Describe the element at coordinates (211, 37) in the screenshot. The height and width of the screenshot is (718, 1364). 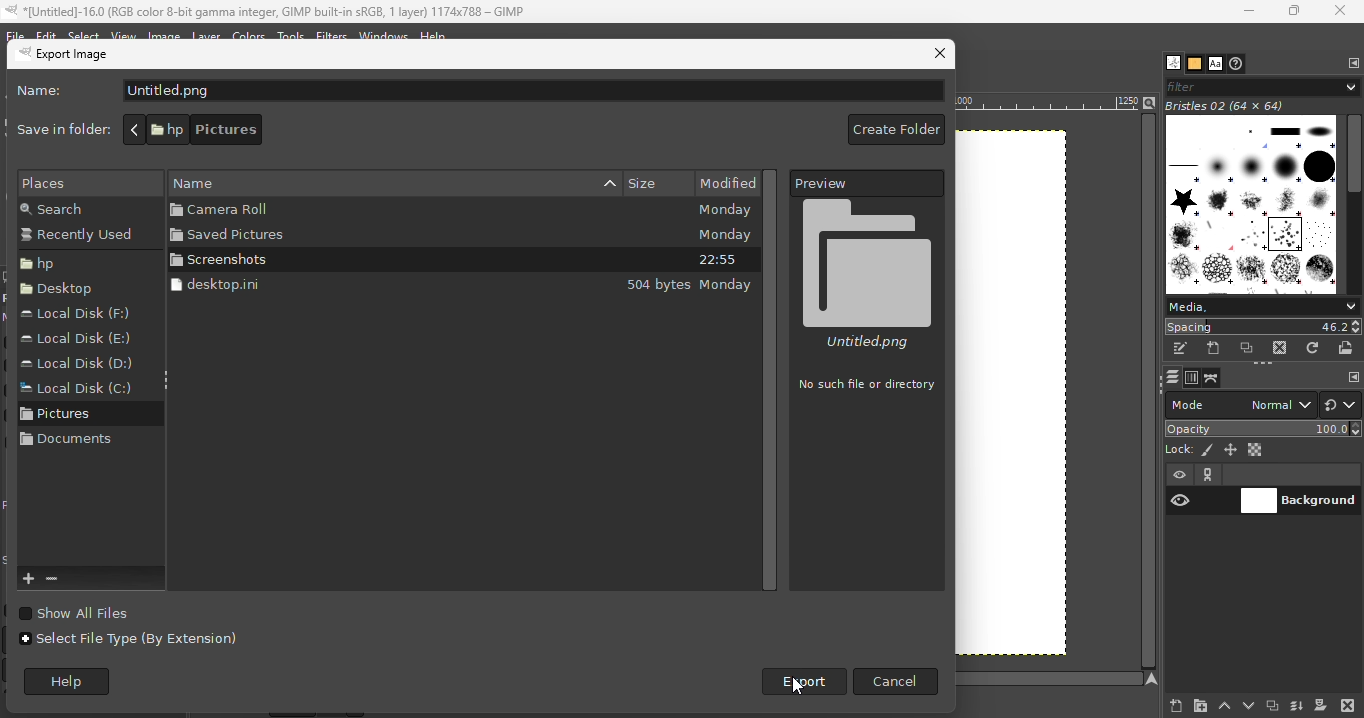
I see `Layer` at that location.